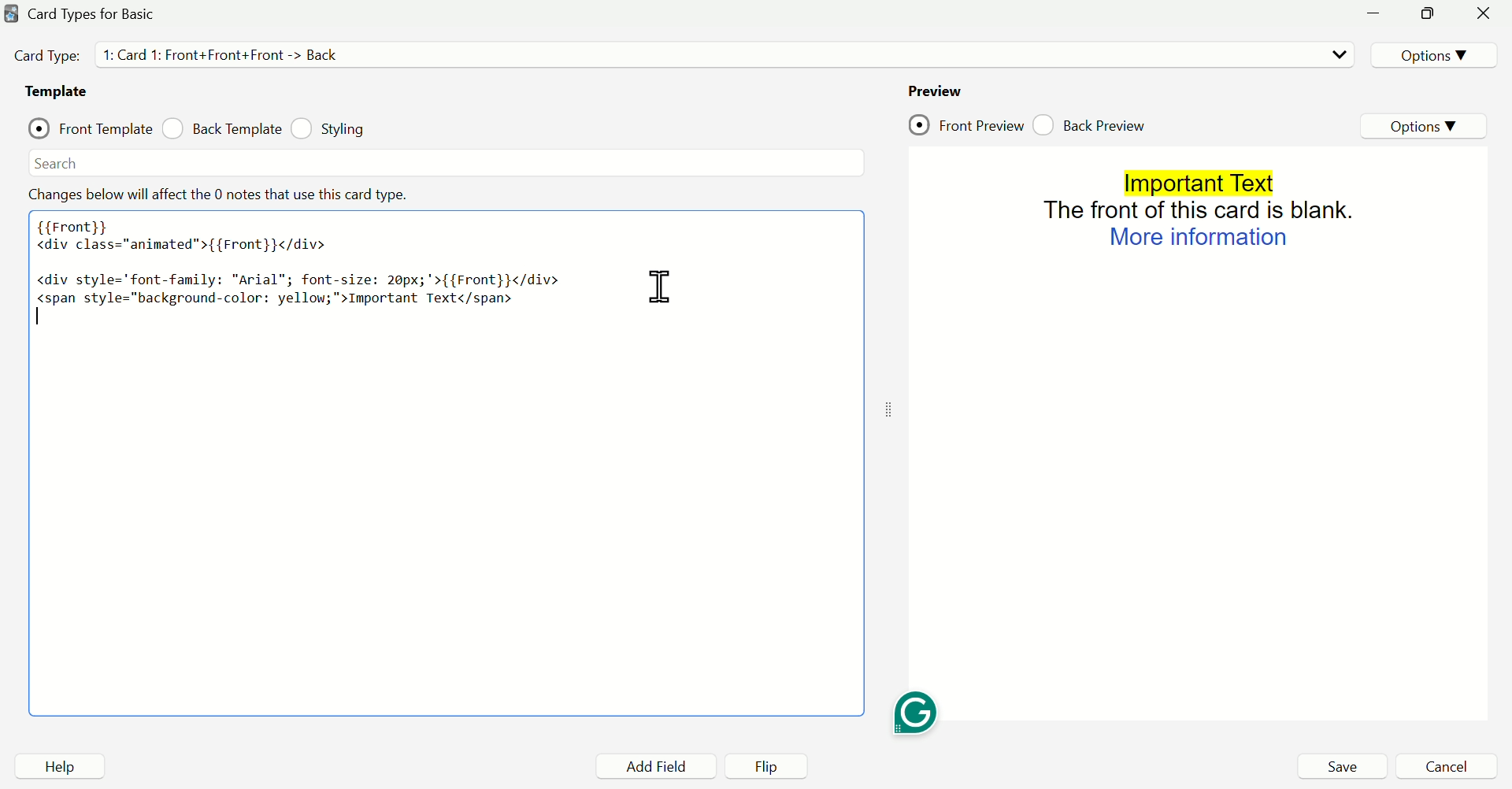 The width and height of the screenshot is (1512, 789). I want to click on Template, so click(62, 92).